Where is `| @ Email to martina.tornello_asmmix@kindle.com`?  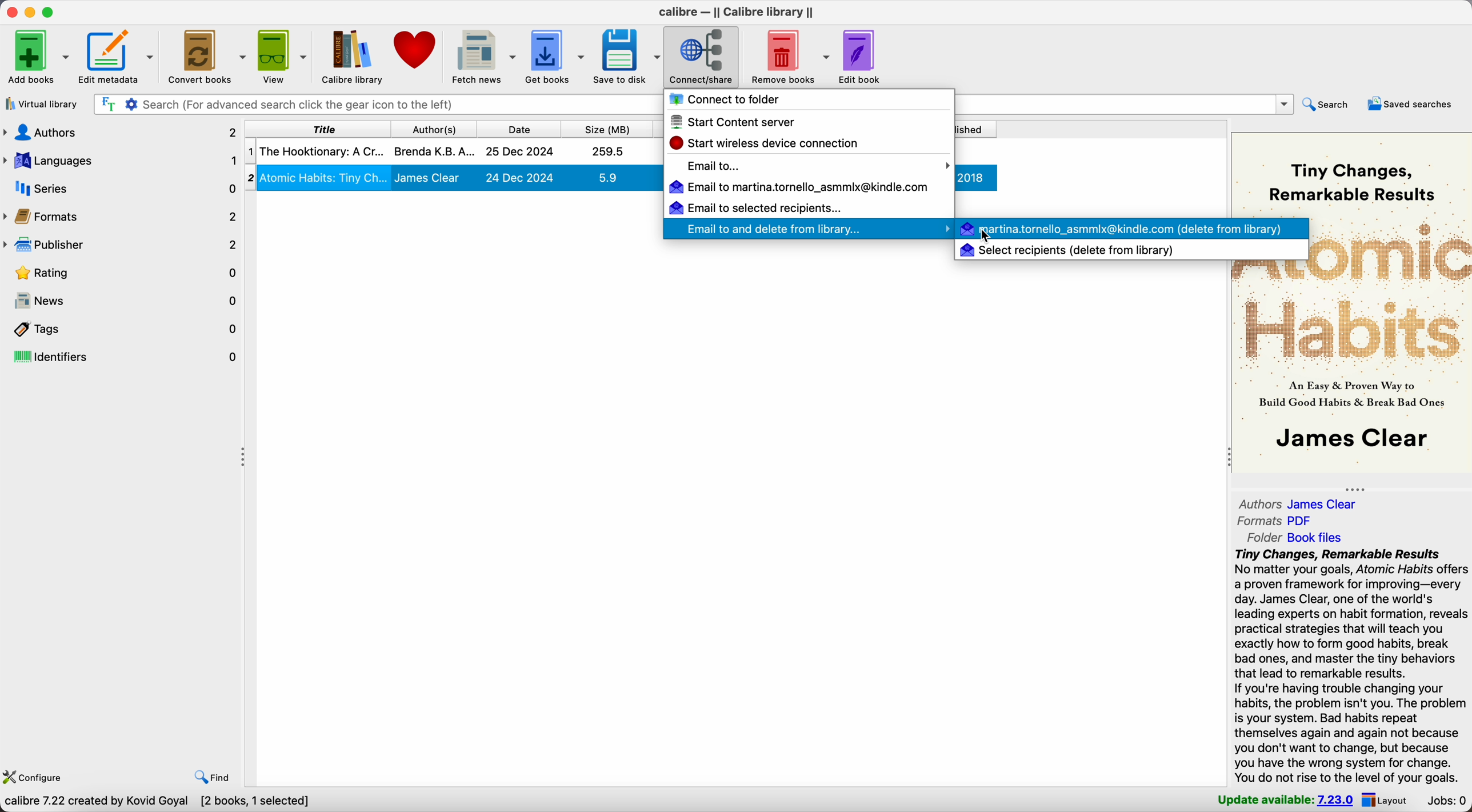
| @ Email to martina.tornello_asmmix@kindle.com is located at coordinates (802, 187).